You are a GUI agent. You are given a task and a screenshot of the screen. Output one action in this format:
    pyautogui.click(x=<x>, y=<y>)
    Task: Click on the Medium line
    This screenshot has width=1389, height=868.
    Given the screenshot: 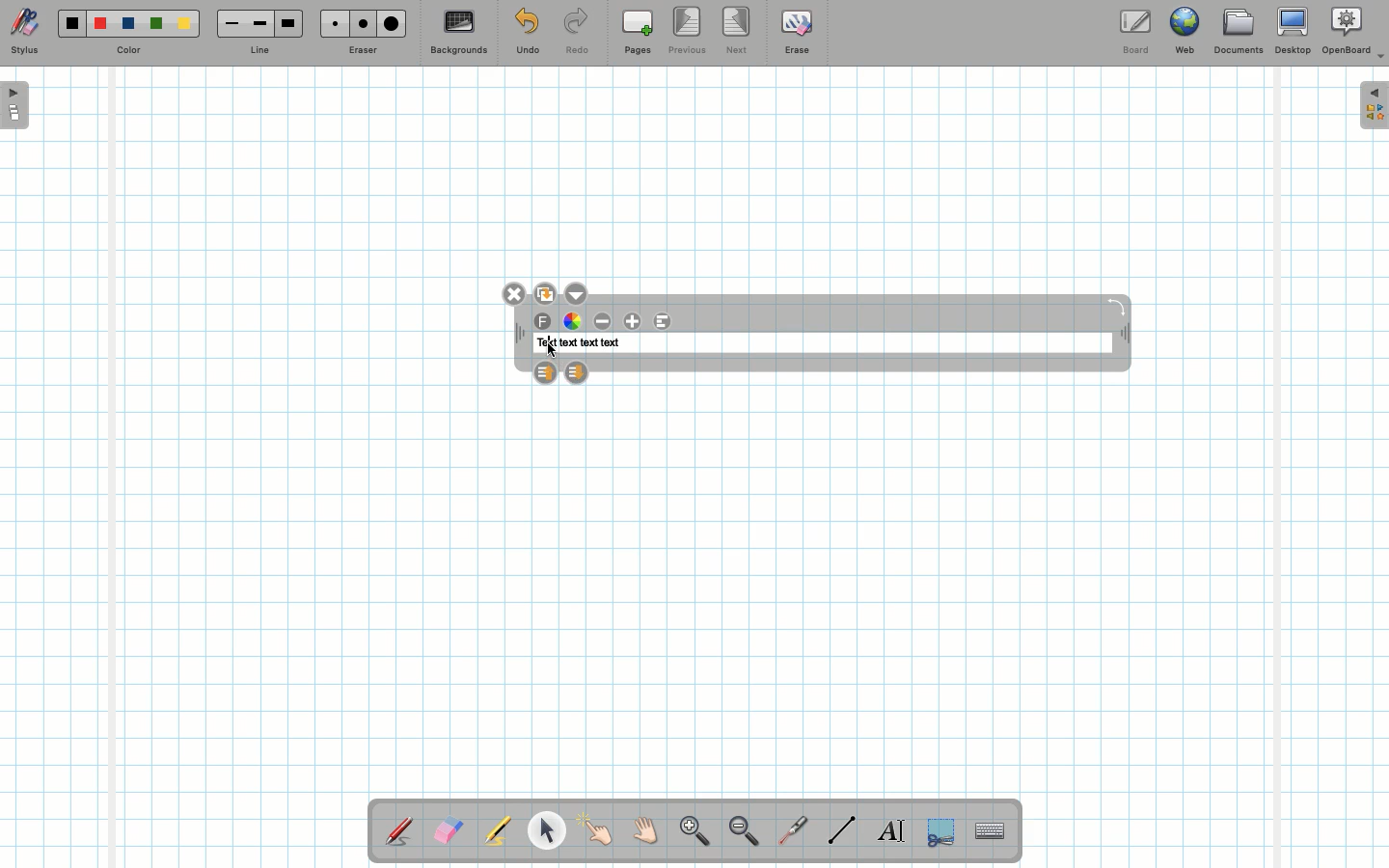 What is the action you would take?
    pyautogui.click(x=259, y=23)
    